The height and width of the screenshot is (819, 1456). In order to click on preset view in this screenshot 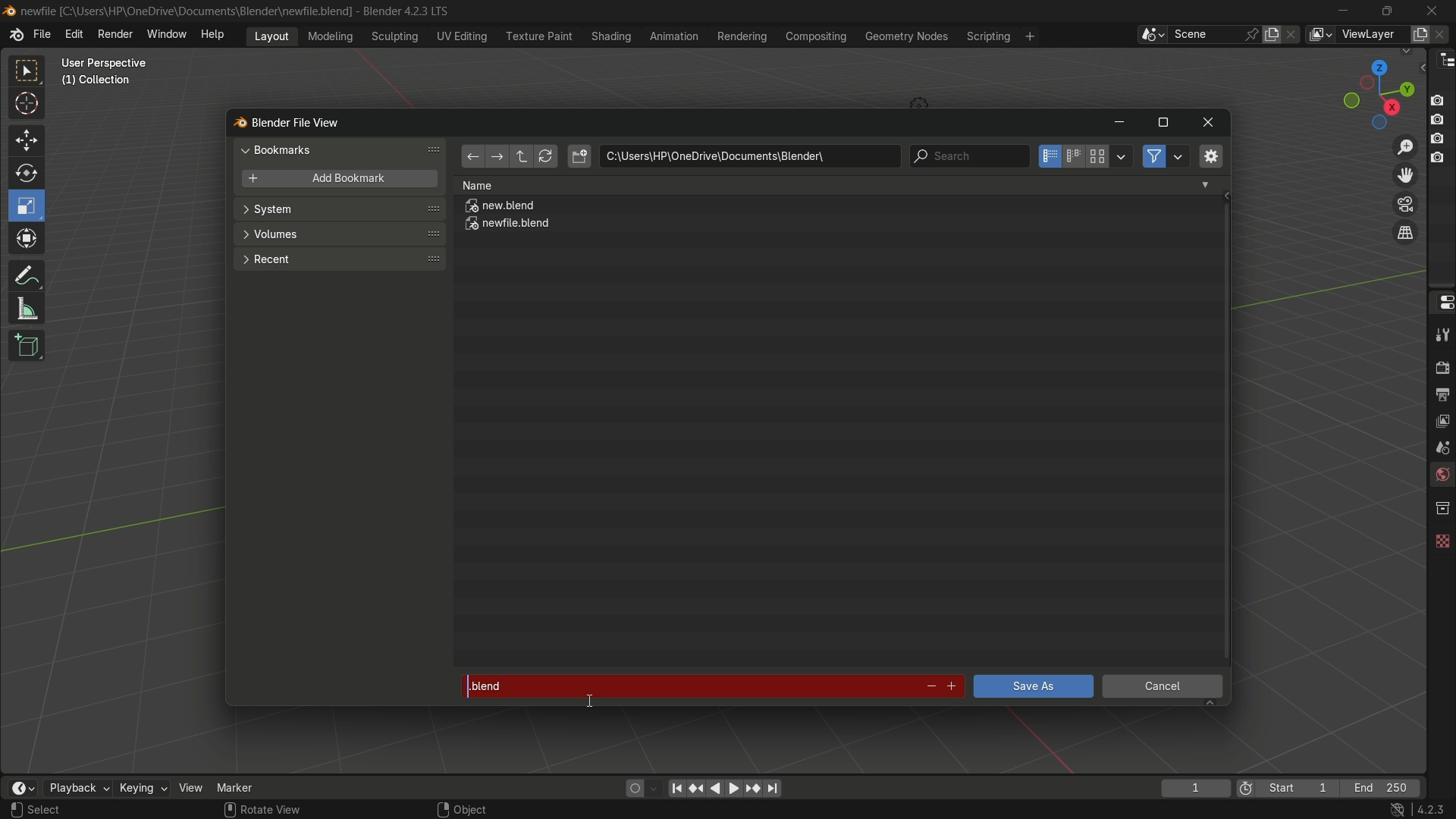, I will do `click(1374, 91)`.